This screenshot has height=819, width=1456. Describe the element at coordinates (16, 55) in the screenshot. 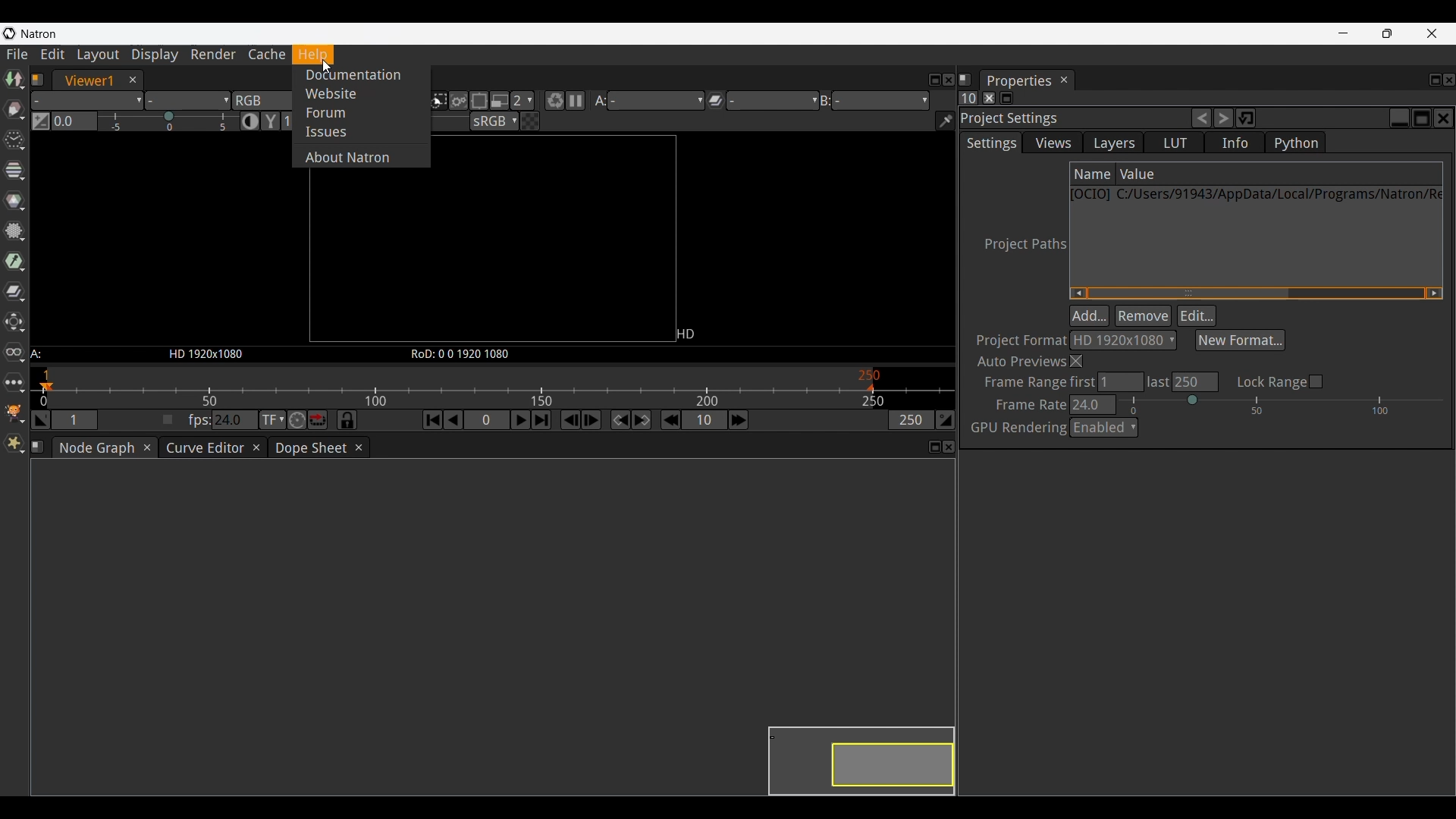

I see `File menu` at that location.